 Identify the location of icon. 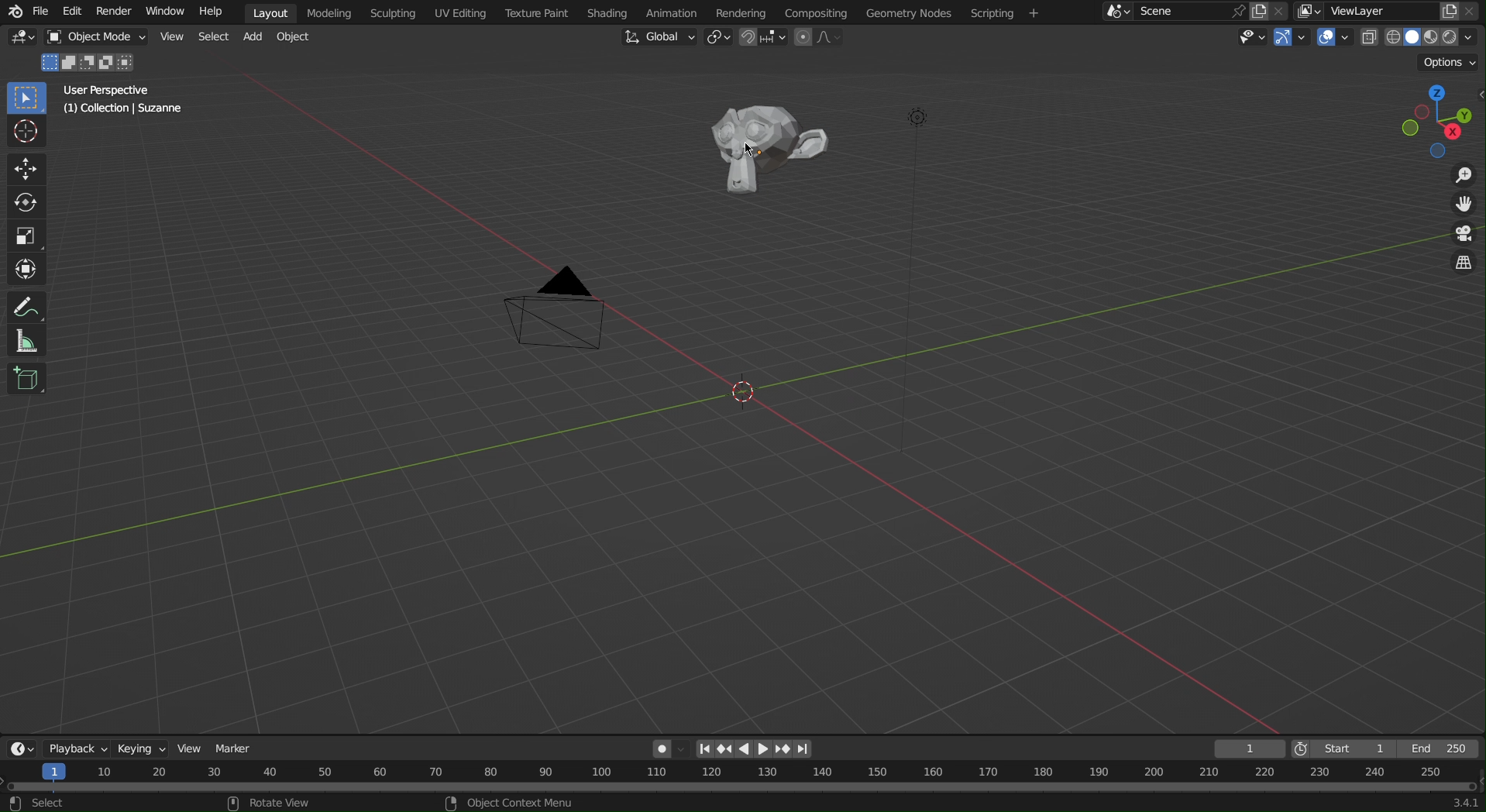
(16, 804).